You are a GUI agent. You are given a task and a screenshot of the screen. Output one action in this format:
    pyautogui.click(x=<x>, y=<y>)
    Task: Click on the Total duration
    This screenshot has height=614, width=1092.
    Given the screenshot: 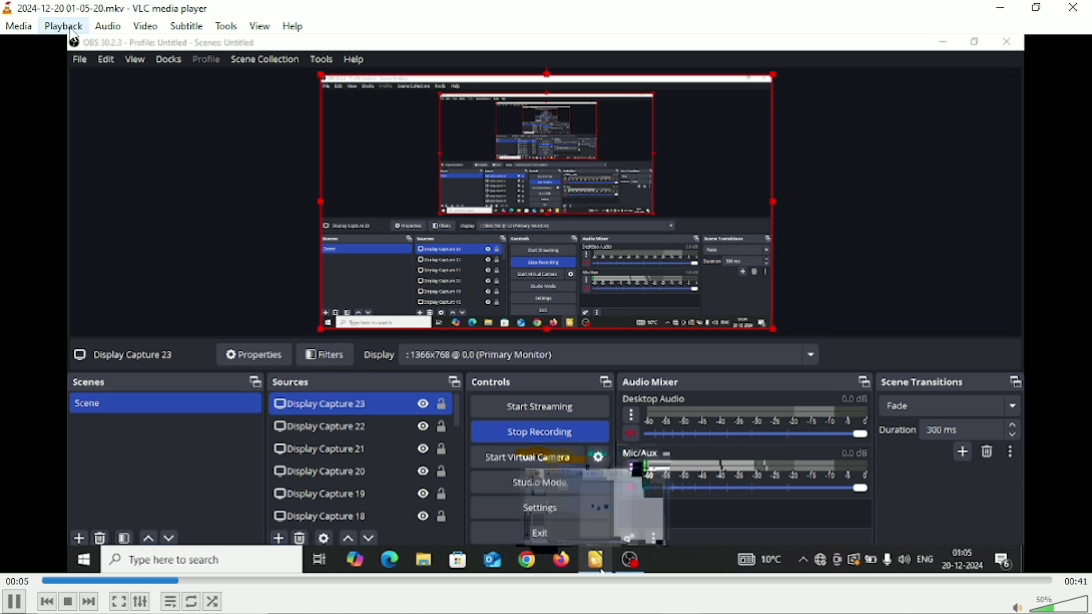 What is the action you would take?
    pyautogui.click(x=1074, y=581)
    